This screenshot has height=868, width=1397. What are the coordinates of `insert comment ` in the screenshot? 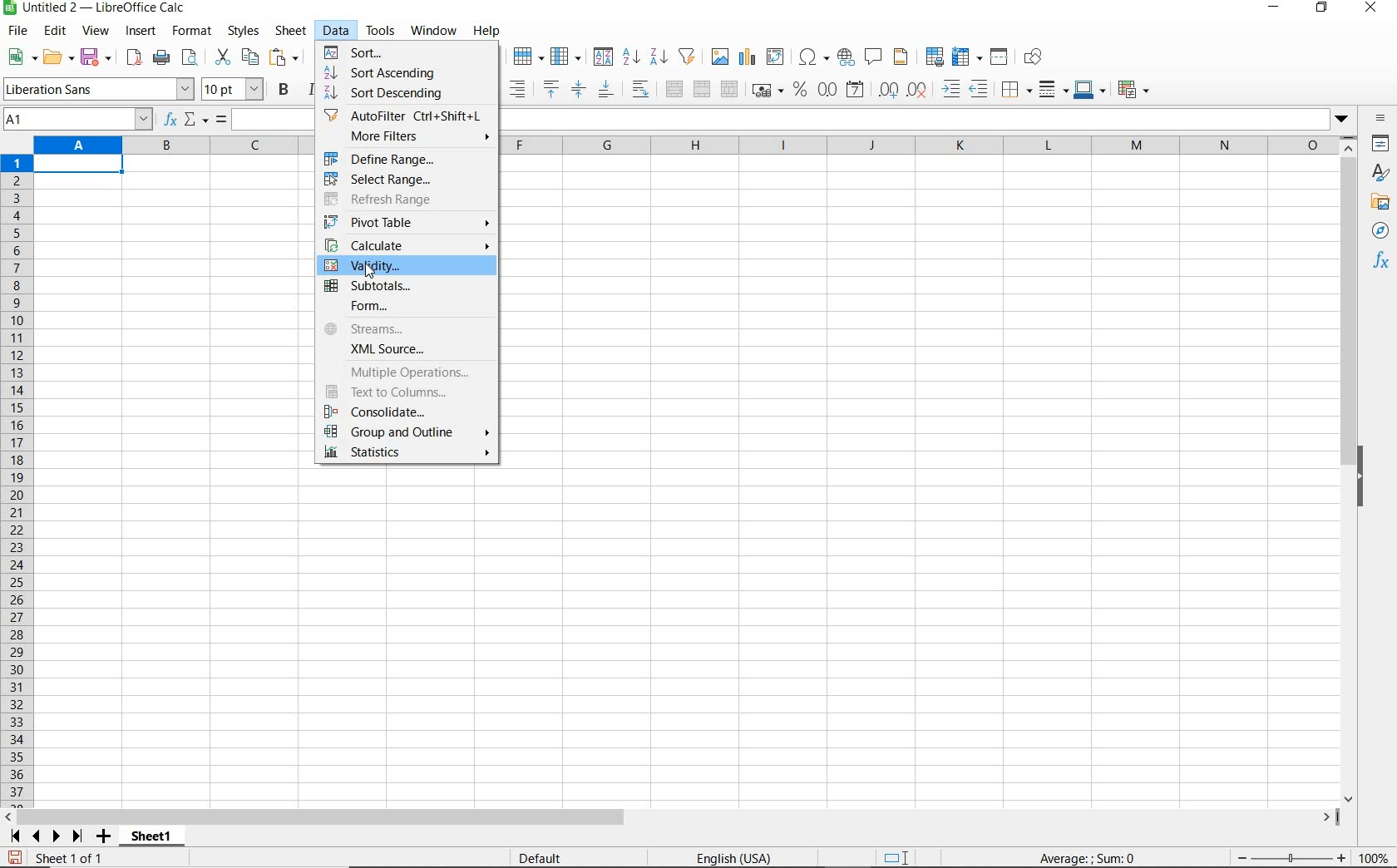 It's located at (874, 57).